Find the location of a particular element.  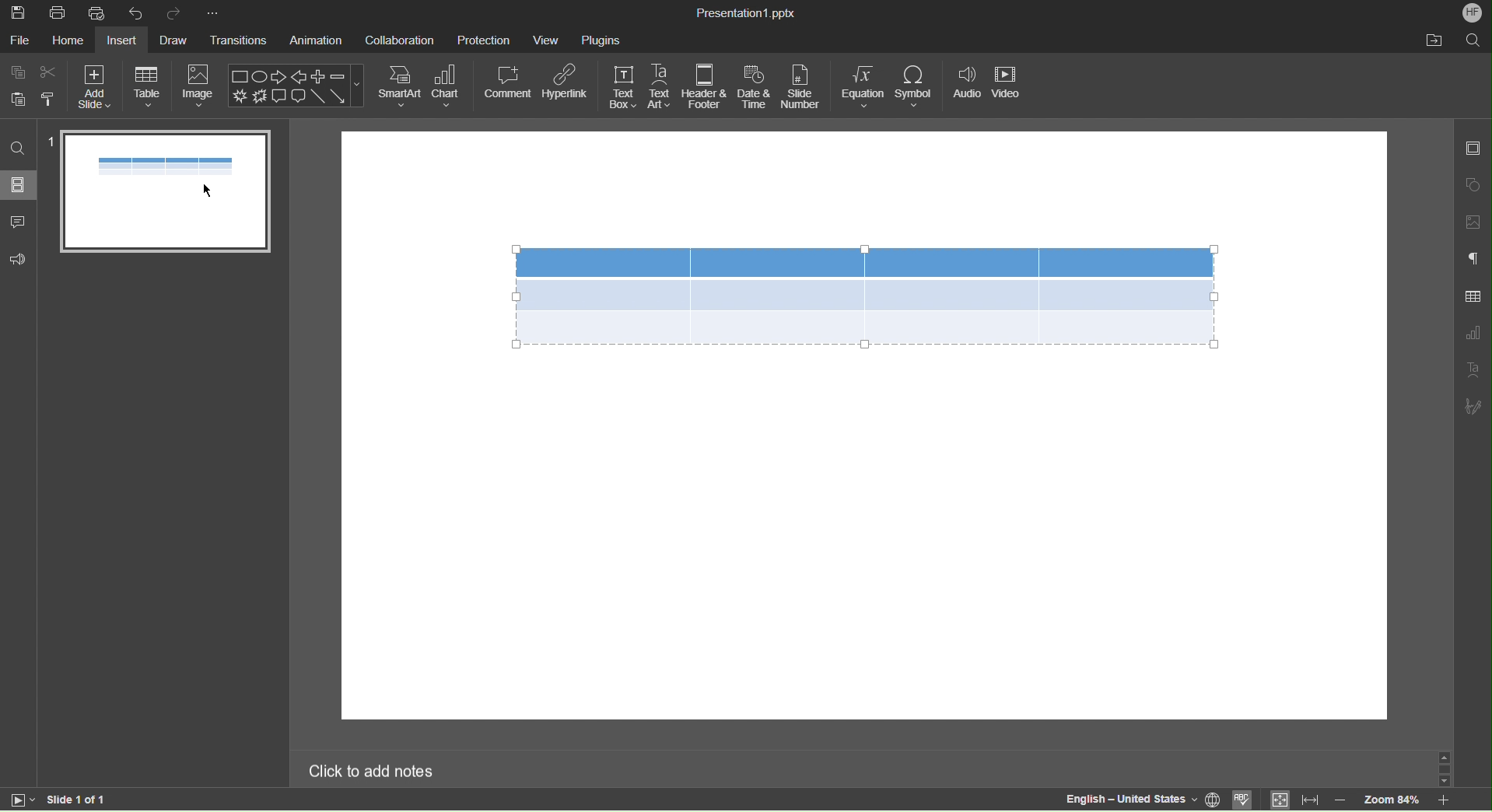

Presentation1 is located at coordinates (742, 11).